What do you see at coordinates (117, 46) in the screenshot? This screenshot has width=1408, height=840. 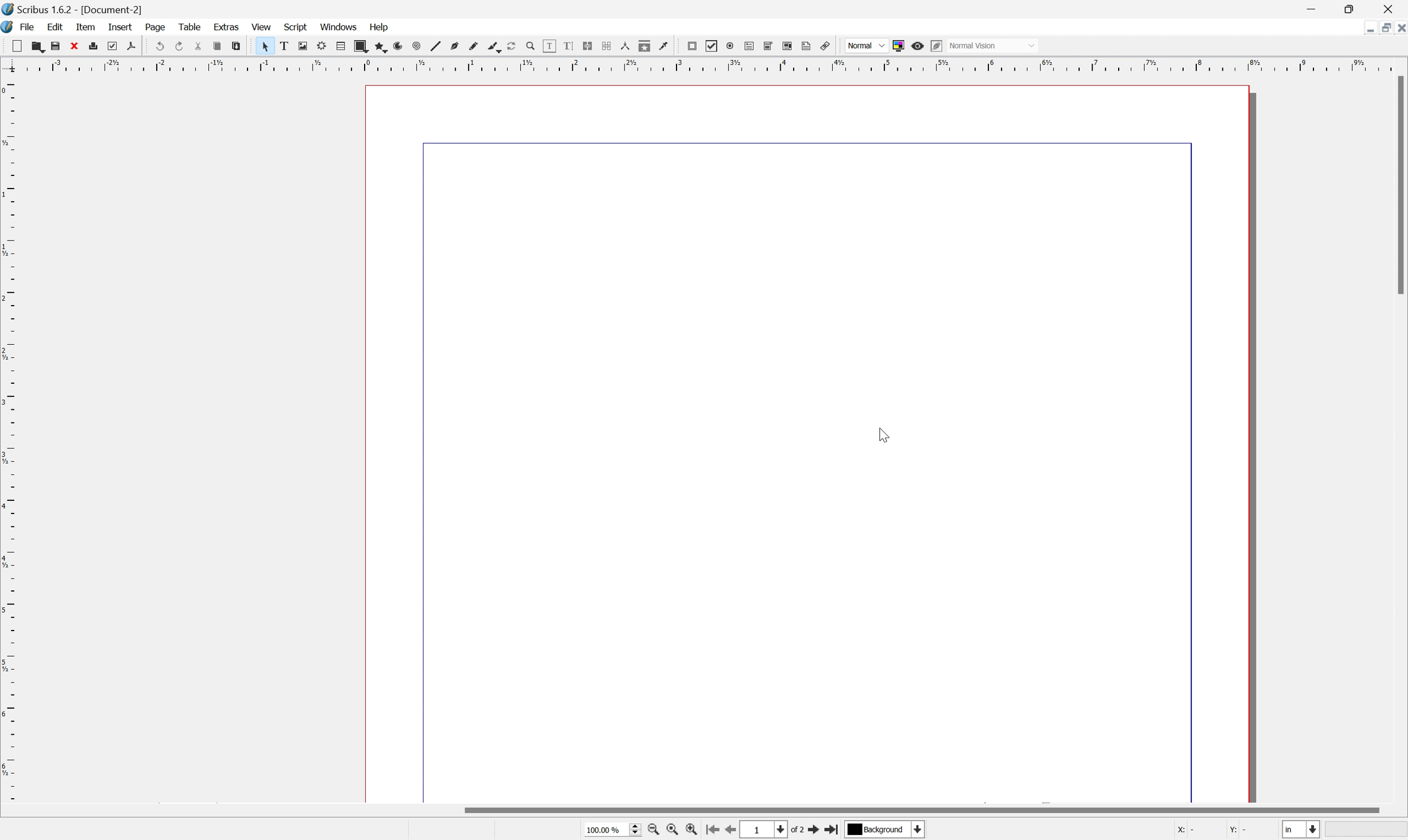 I see `Preflight verifier` at bounding box center [117, 46].